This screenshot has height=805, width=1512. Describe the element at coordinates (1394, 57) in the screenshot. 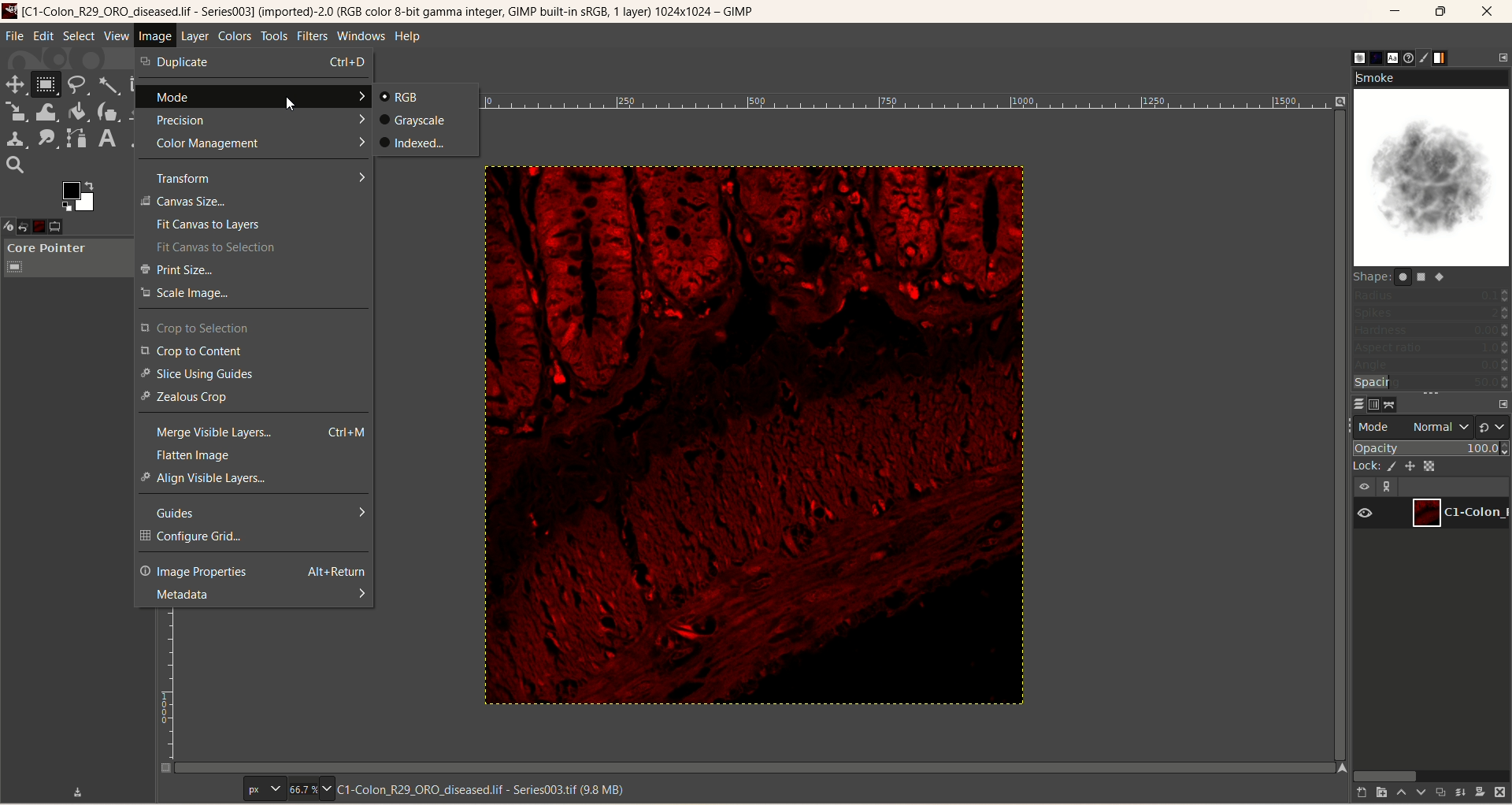

I see `font` at that location.